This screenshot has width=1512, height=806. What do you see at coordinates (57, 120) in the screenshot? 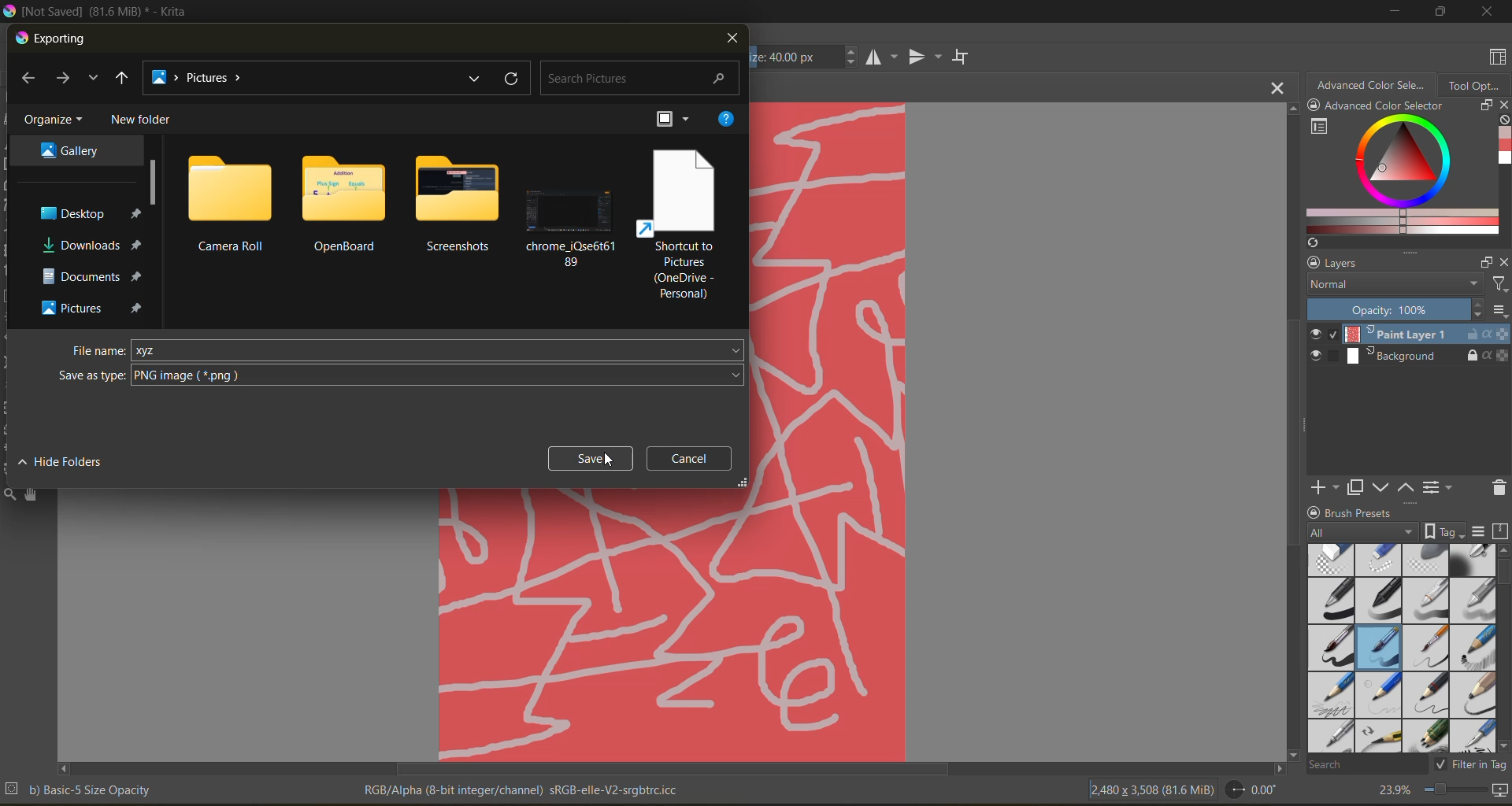
I see `` at bounding box center [57, 120].